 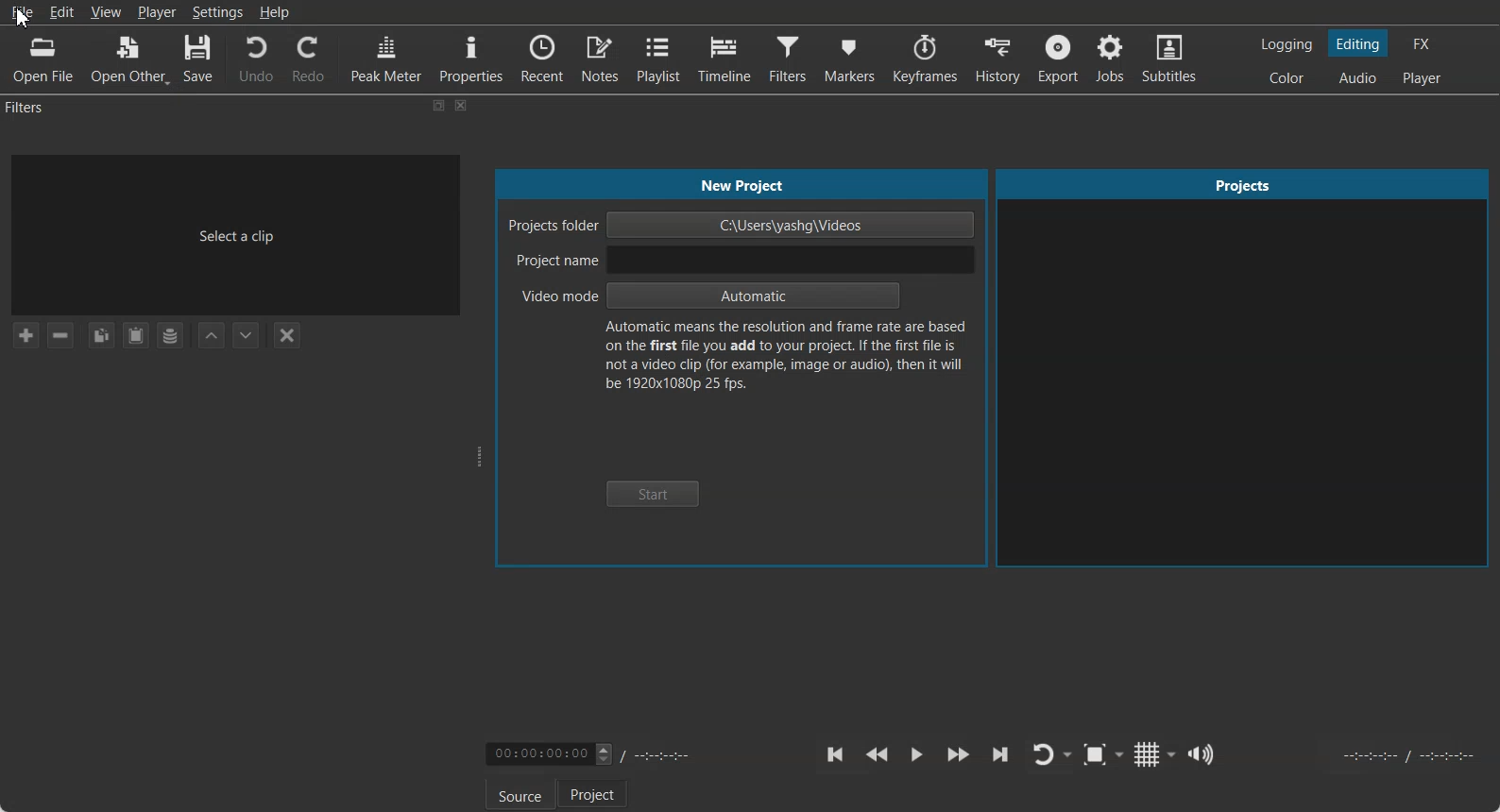 I want to click on Toggle player lopping, so click(x=1040, y=755).